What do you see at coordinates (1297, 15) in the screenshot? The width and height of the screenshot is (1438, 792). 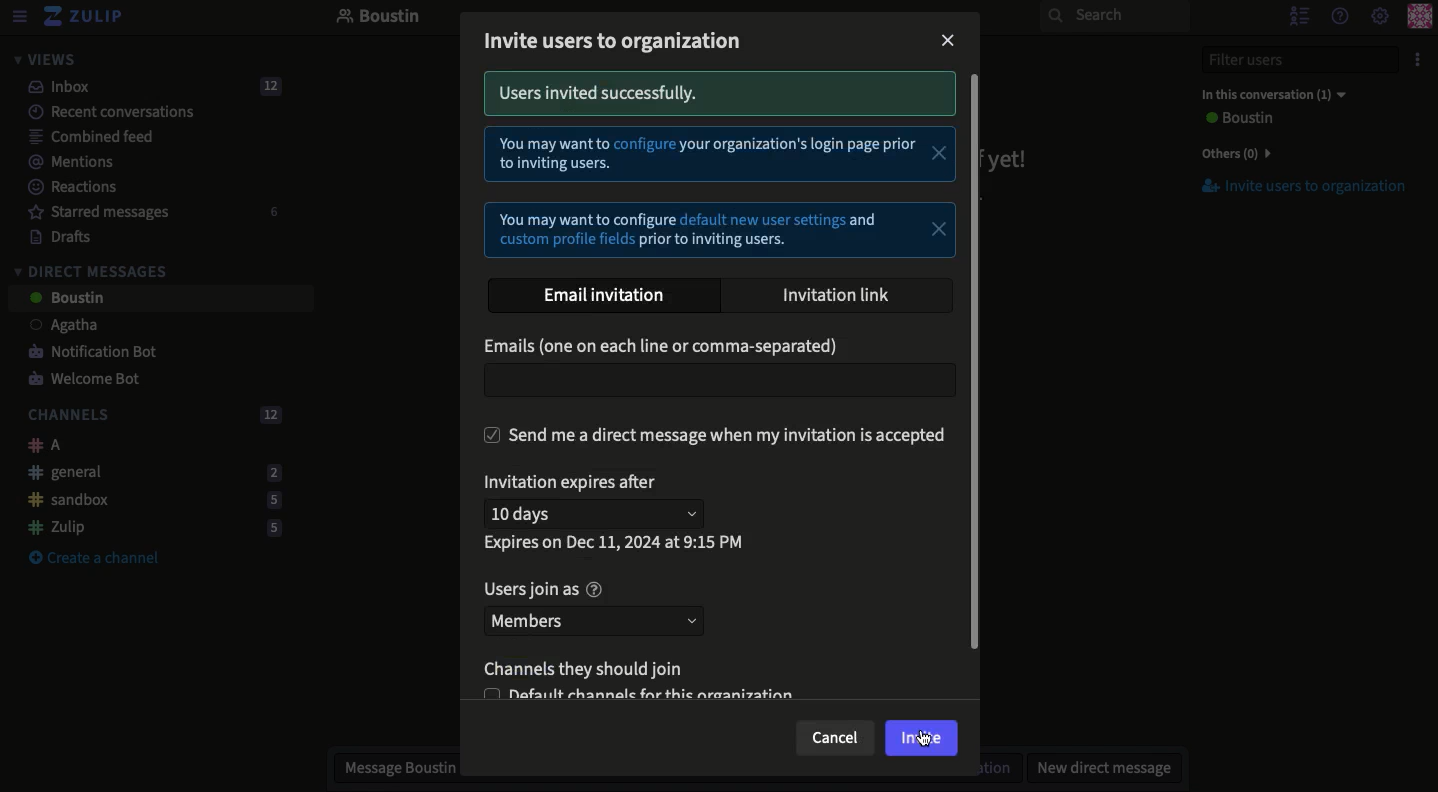 I see `Hide users list` at bounding box center [1297, 15].